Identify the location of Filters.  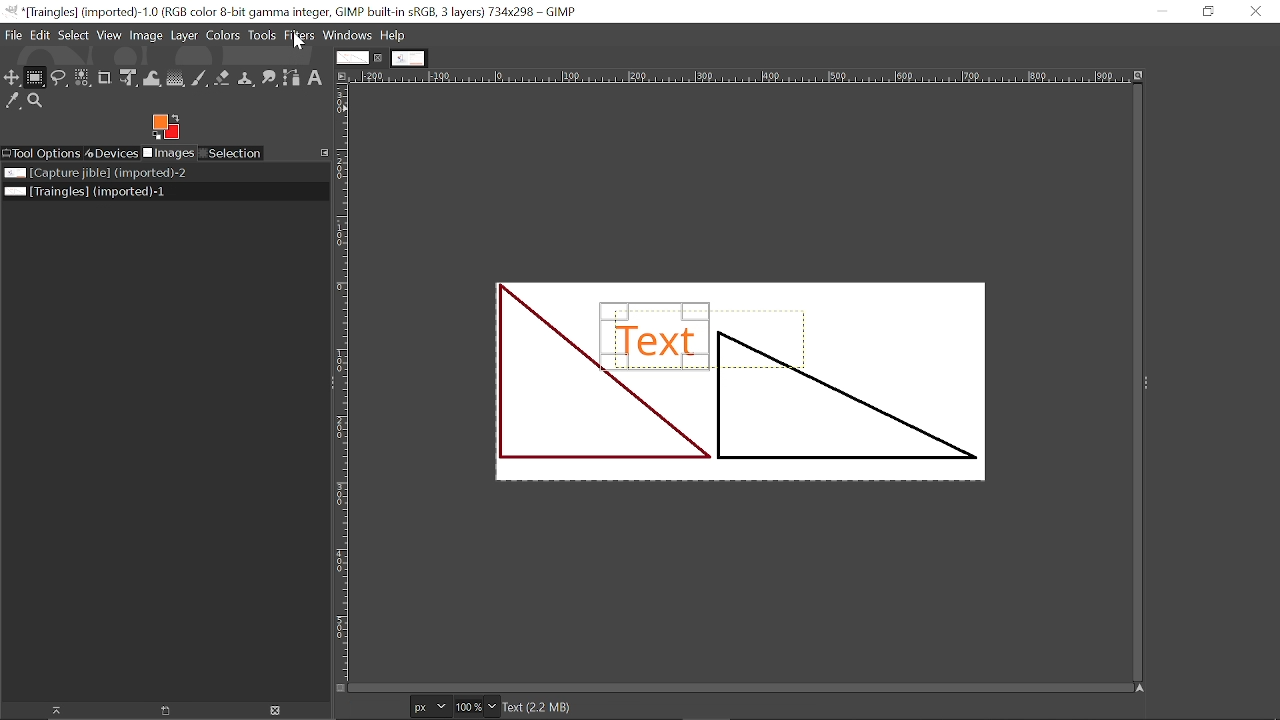
(300, 36).